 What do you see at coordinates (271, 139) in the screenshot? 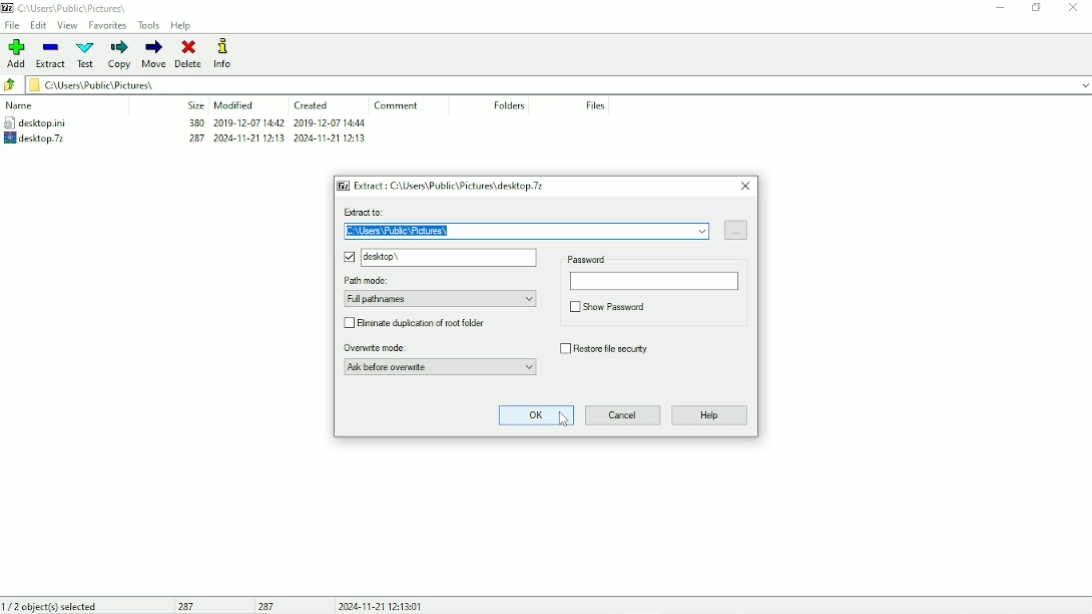
I see `87 2004-11-21 1213 2048-11-21 1213` at bounding box center [271, 139].